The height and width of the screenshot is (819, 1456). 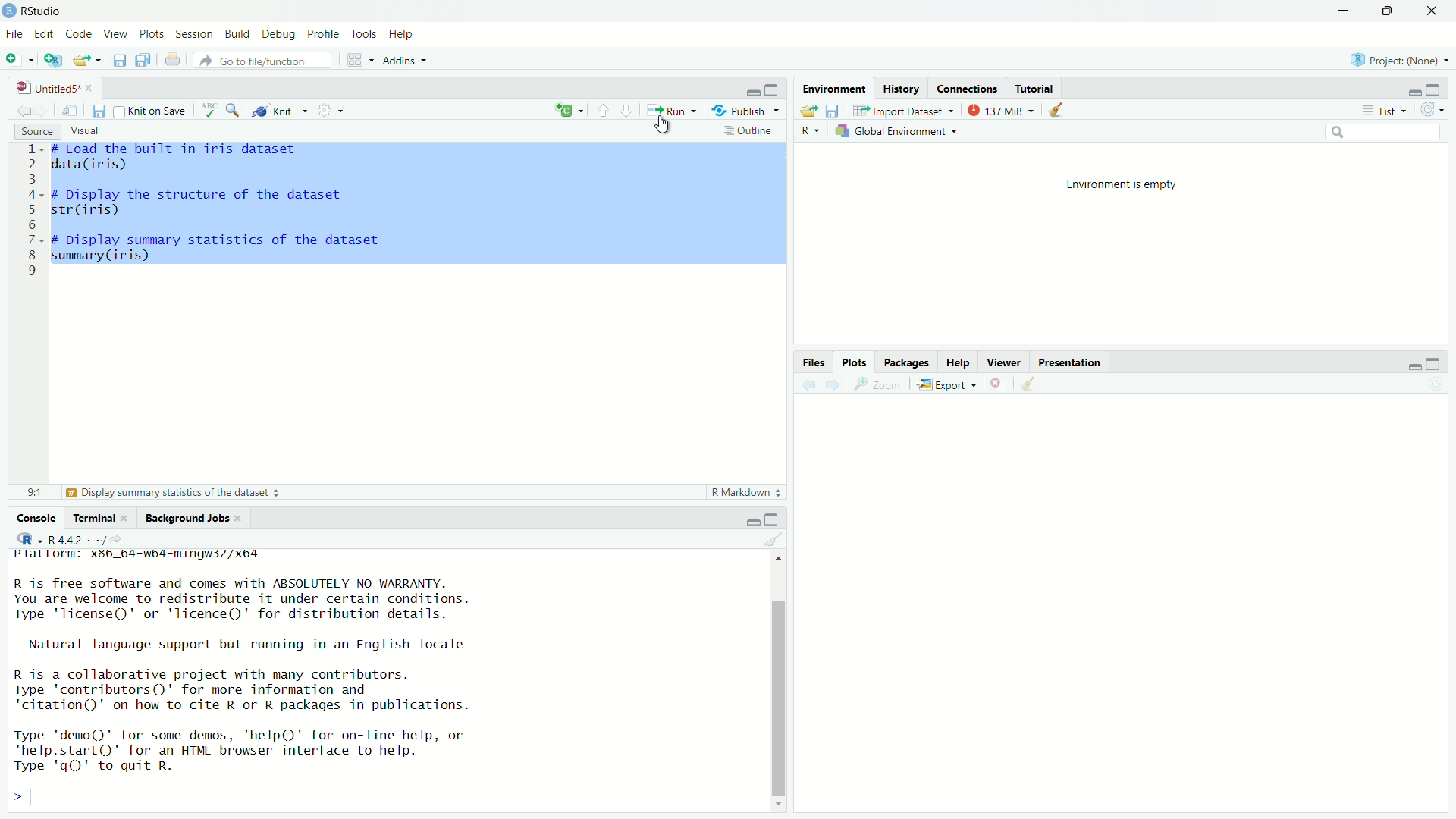 What do you see at coordinates (751, 92) in the screenshot?
I see `Hide` at bounding box center [751, 92].